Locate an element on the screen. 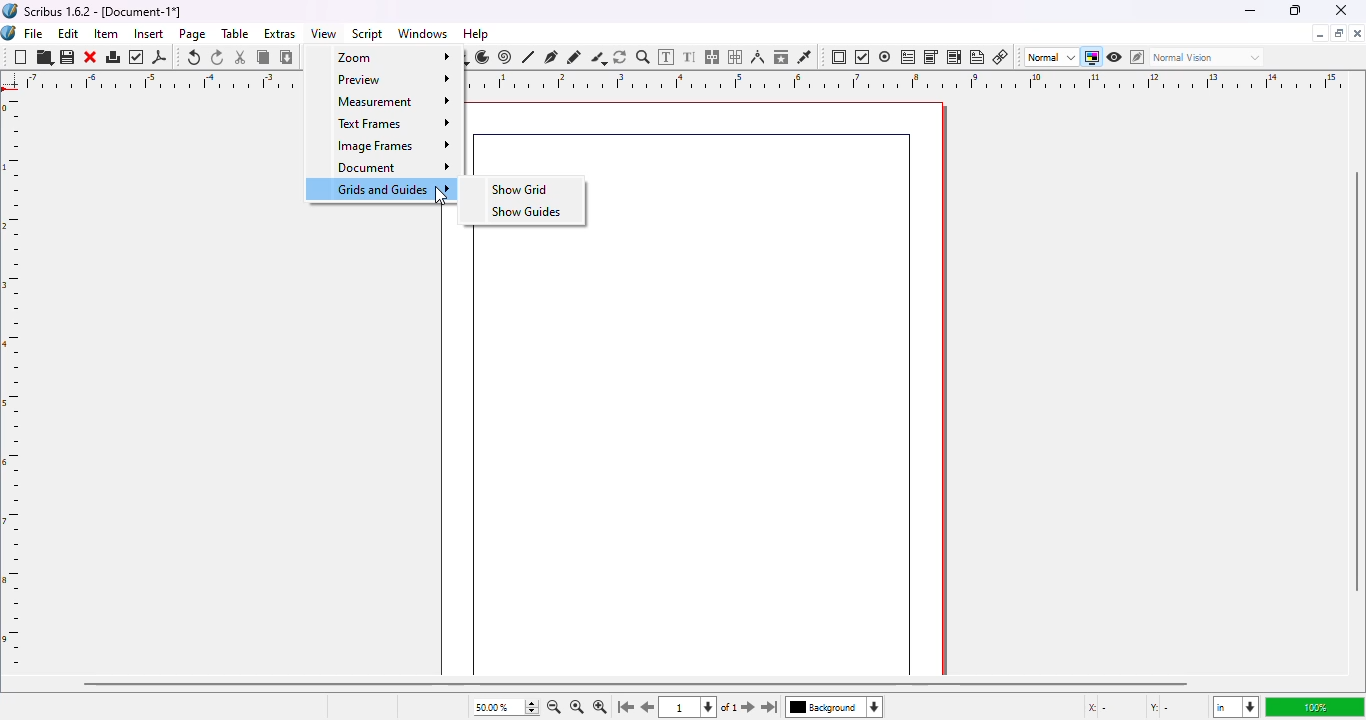  grids and guides is located at coordinates (379, 188).